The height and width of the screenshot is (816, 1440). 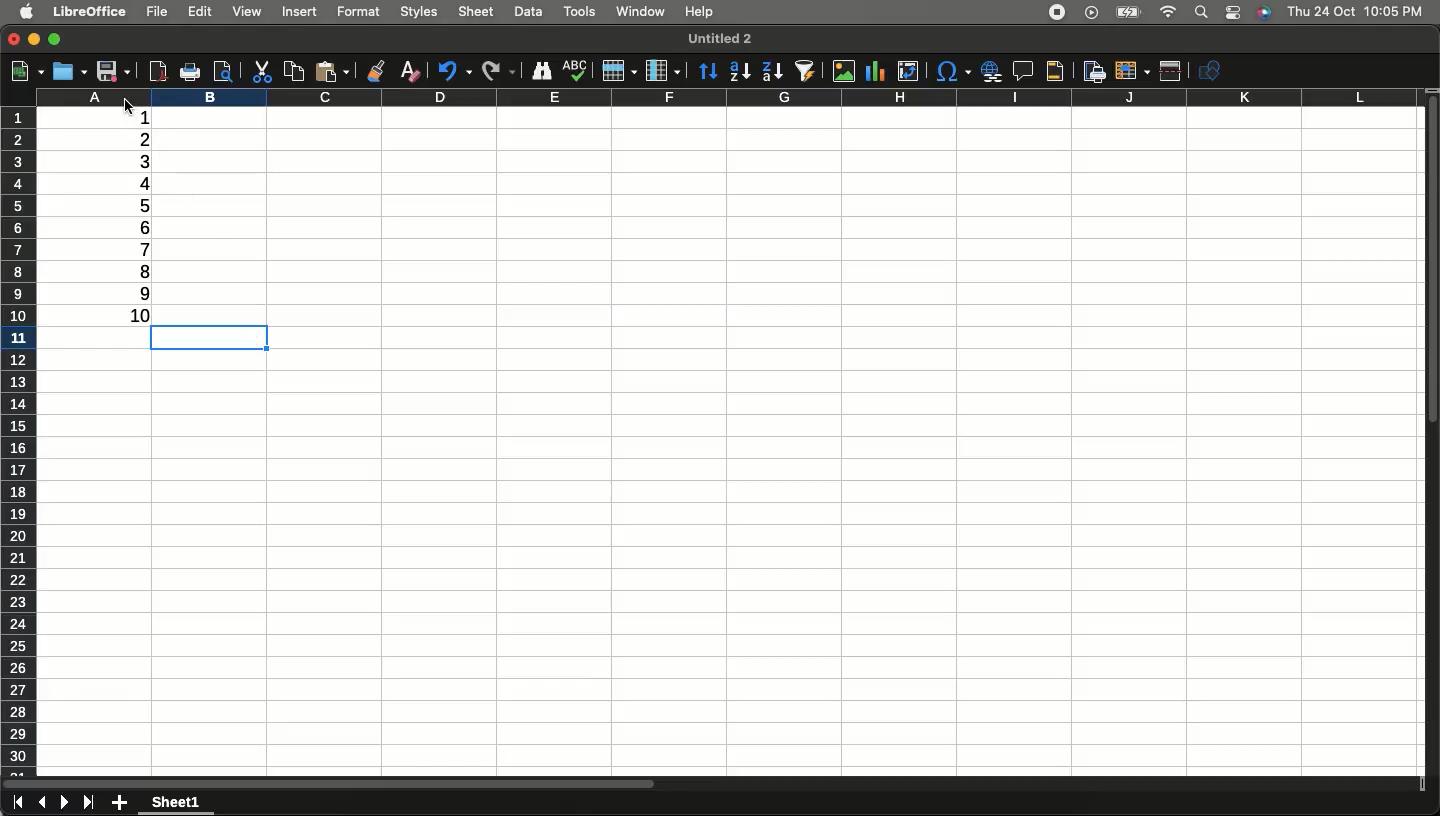 What do you see at coordinates (717, 38) in the screenshot?
I see `Untitled 2` at bounding box center [717, 38].